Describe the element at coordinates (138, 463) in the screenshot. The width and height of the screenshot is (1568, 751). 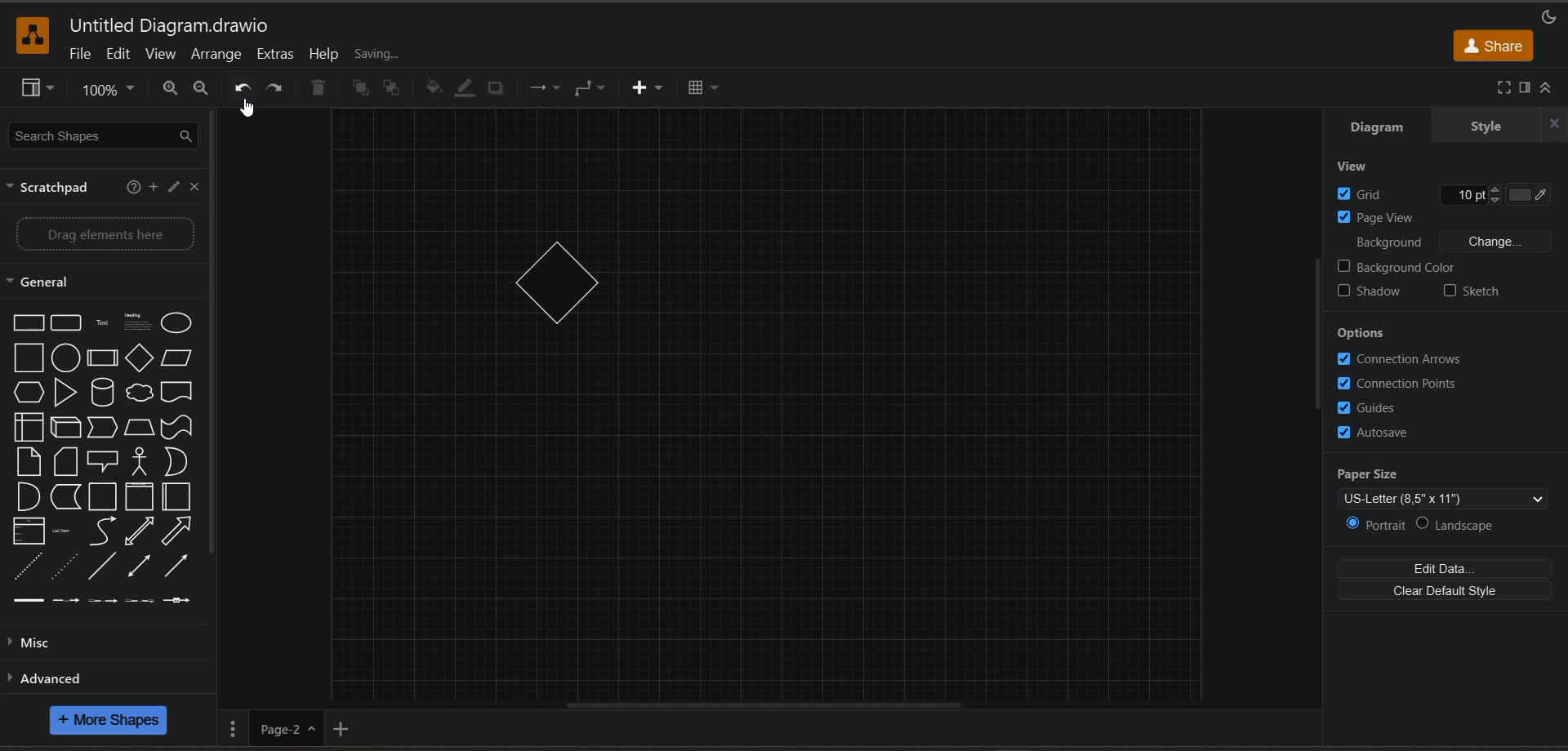
I see `Actor` at that location.